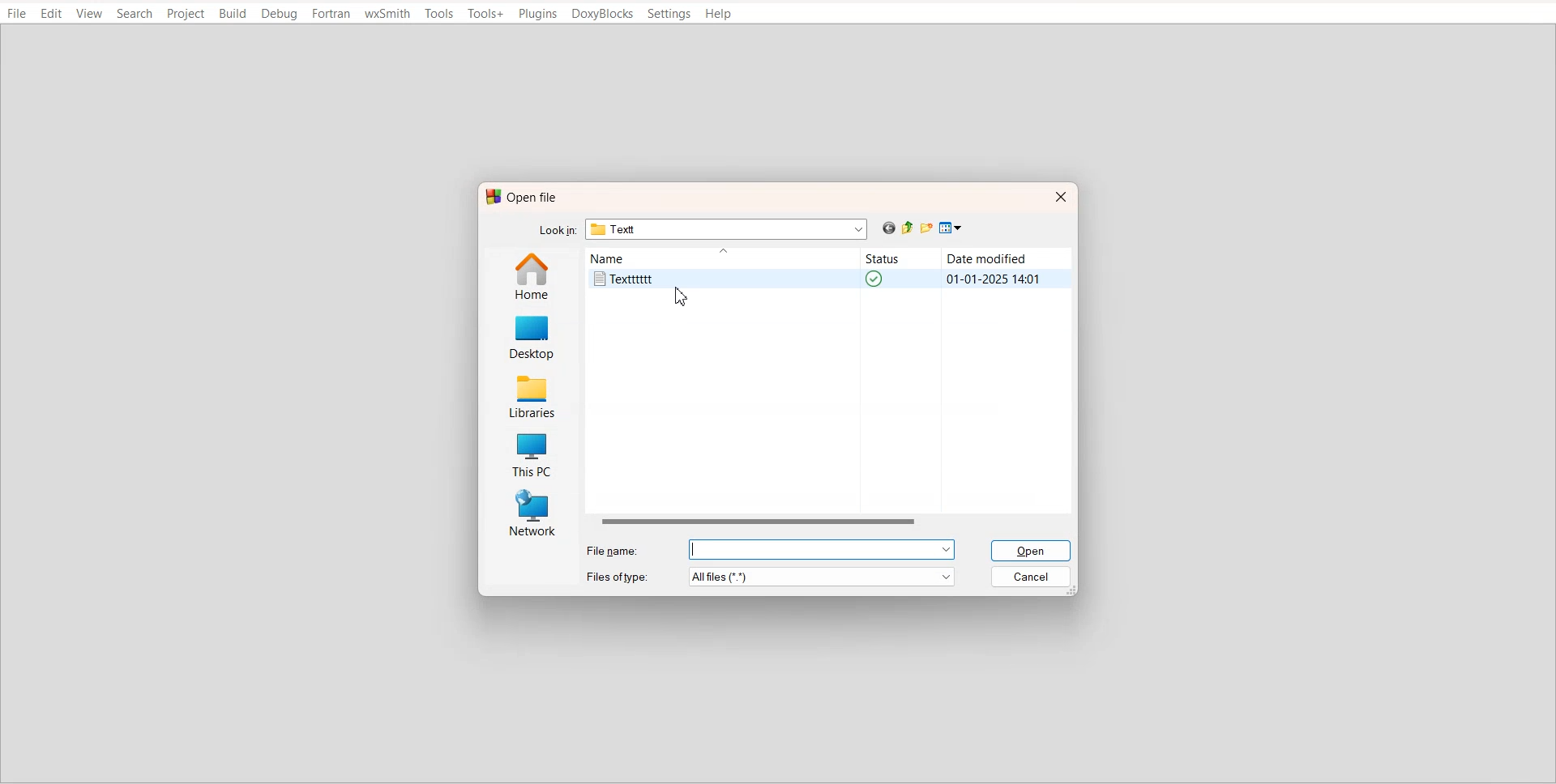 This screenshot has height=784, width=1556. What do you see at coordinates (90, 13) in the screenshot?
I see `View` at bounding box center [90, 13].